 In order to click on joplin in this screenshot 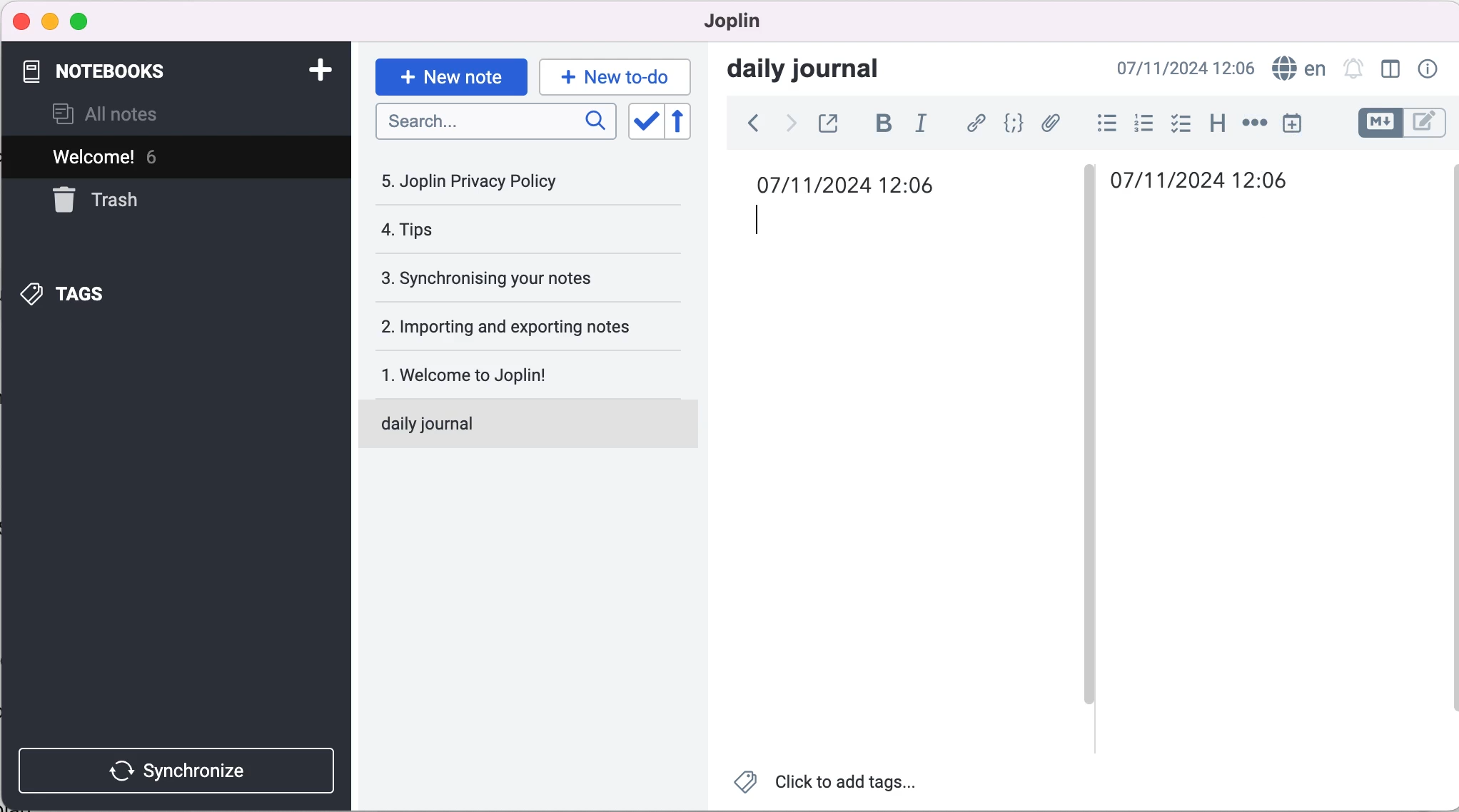, I will do `click(754, 23)`.